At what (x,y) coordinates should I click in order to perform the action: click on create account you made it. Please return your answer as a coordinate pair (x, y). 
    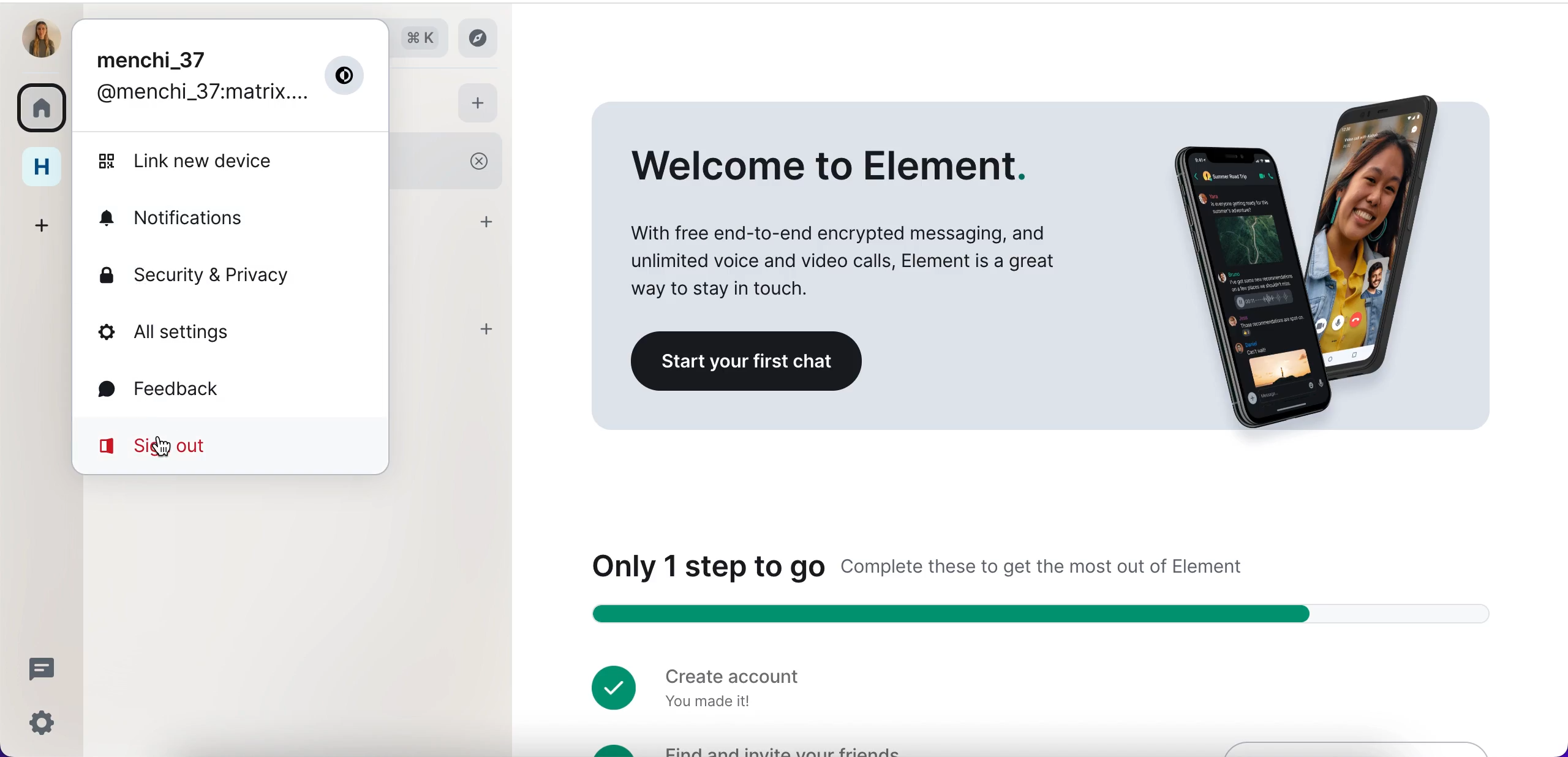
    Looking at the image, I should click on (697, 685).